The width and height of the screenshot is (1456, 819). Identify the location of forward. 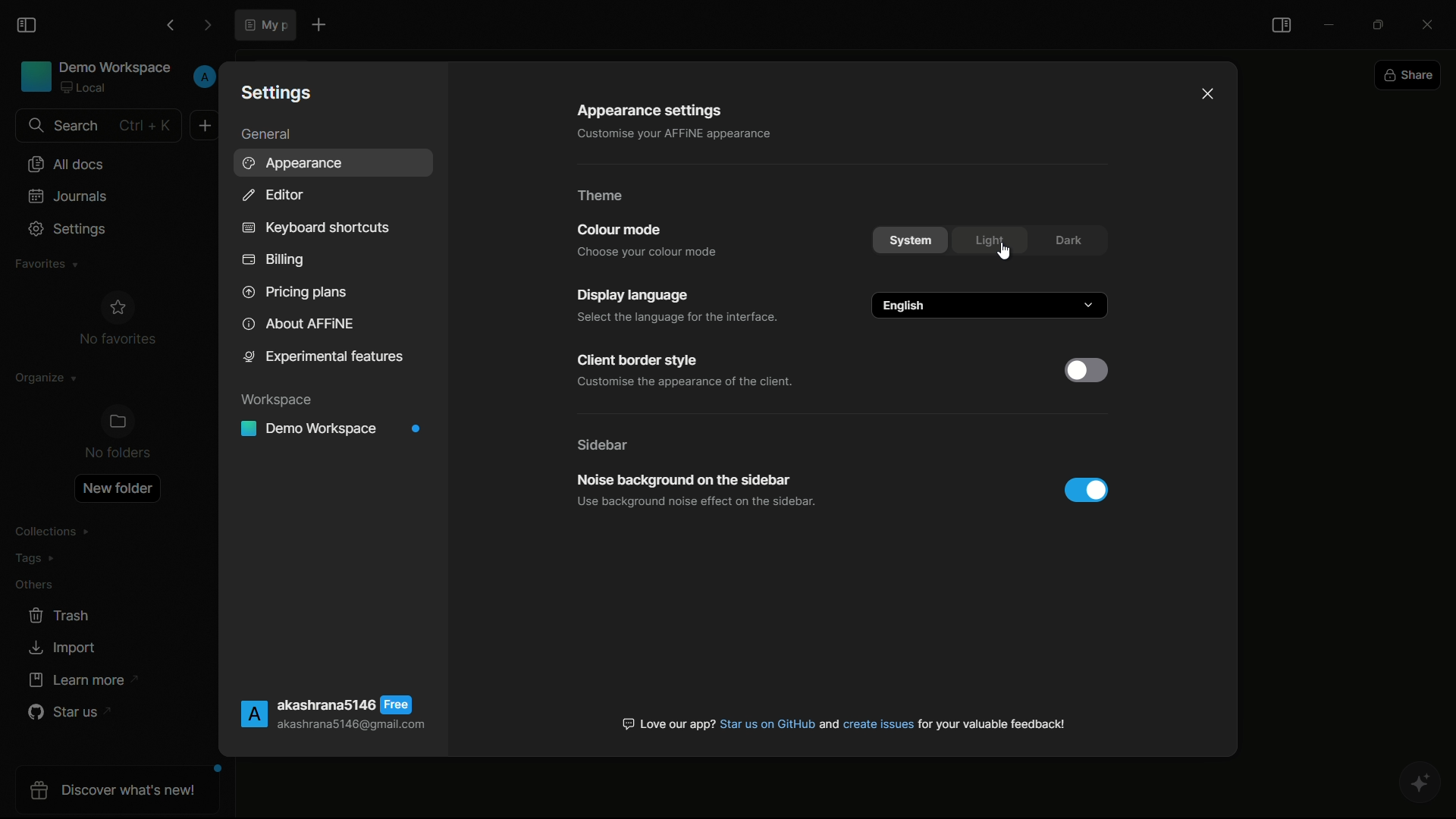
(207, 26).